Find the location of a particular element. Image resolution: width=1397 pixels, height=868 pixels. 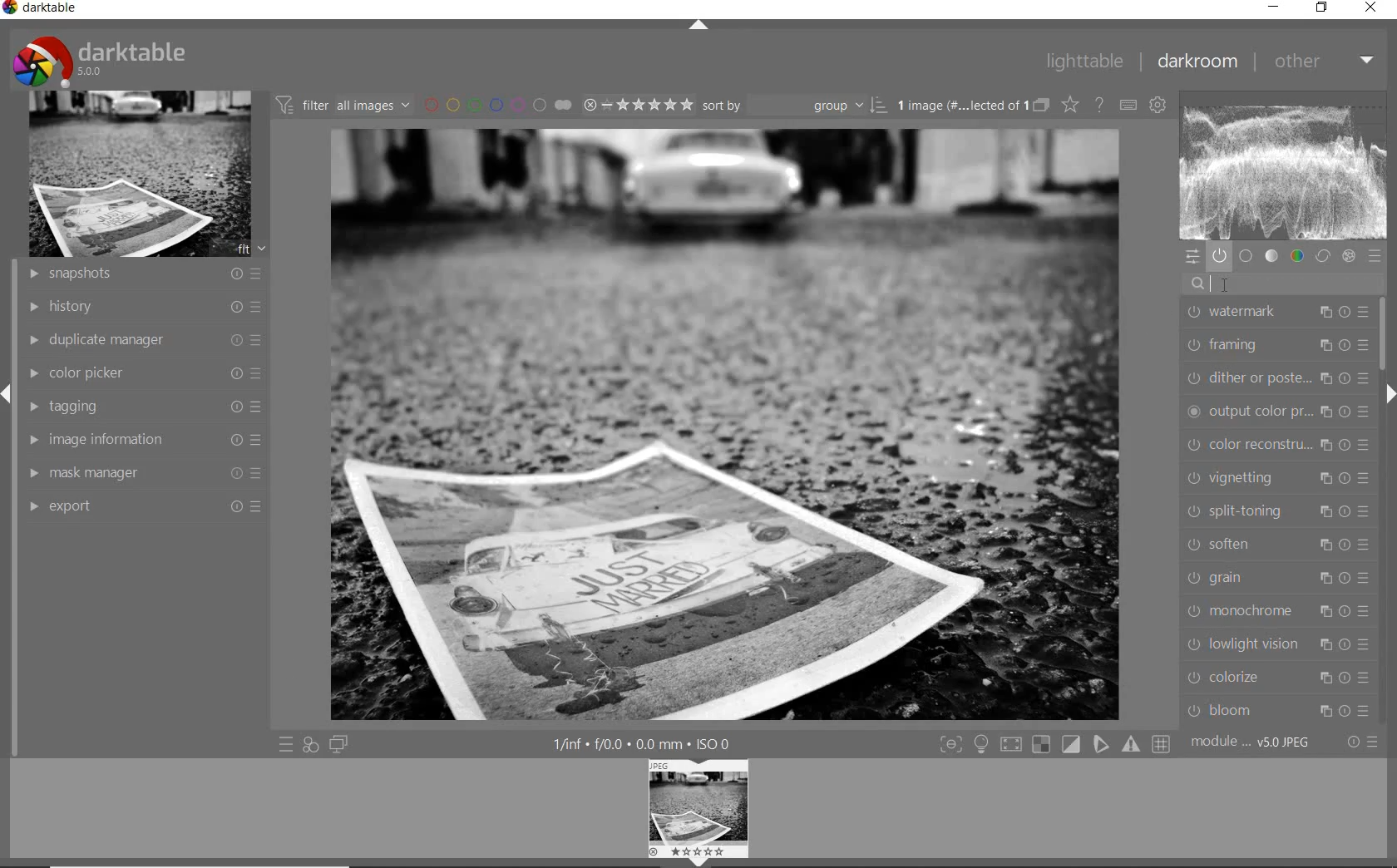

image previe is located at coordinates (699, 813).